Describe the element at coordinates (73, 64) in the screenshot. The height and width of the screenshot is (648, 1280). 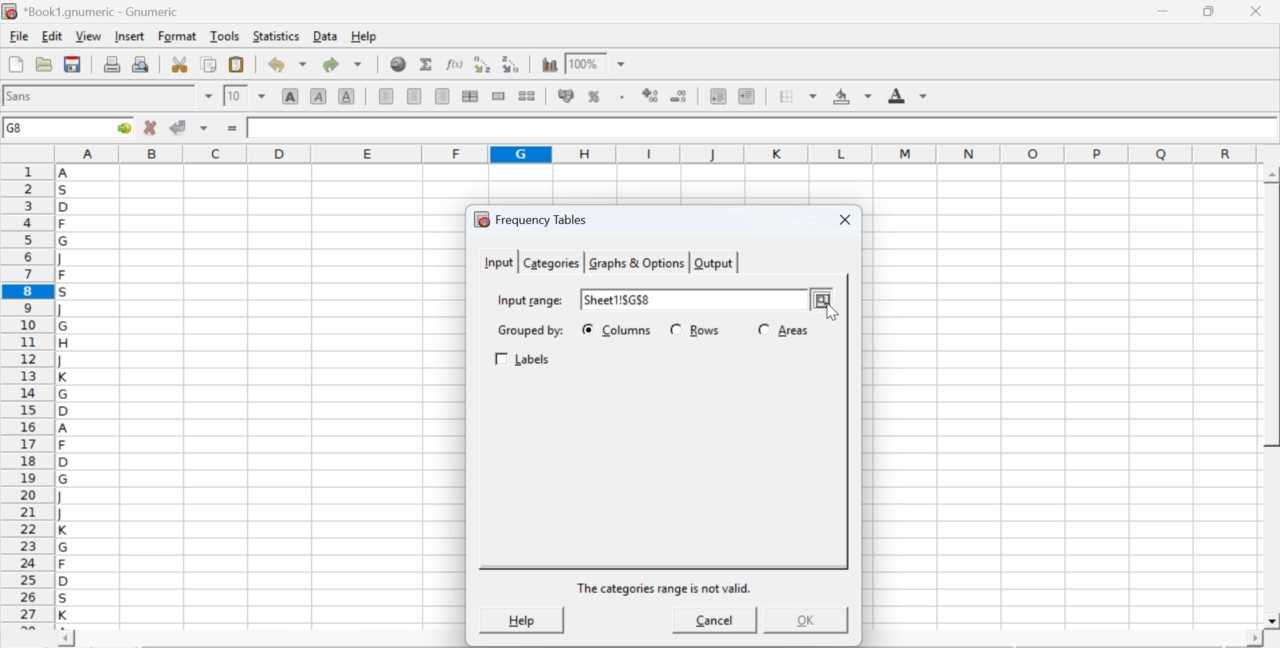
I see `save current workbook` at that location.